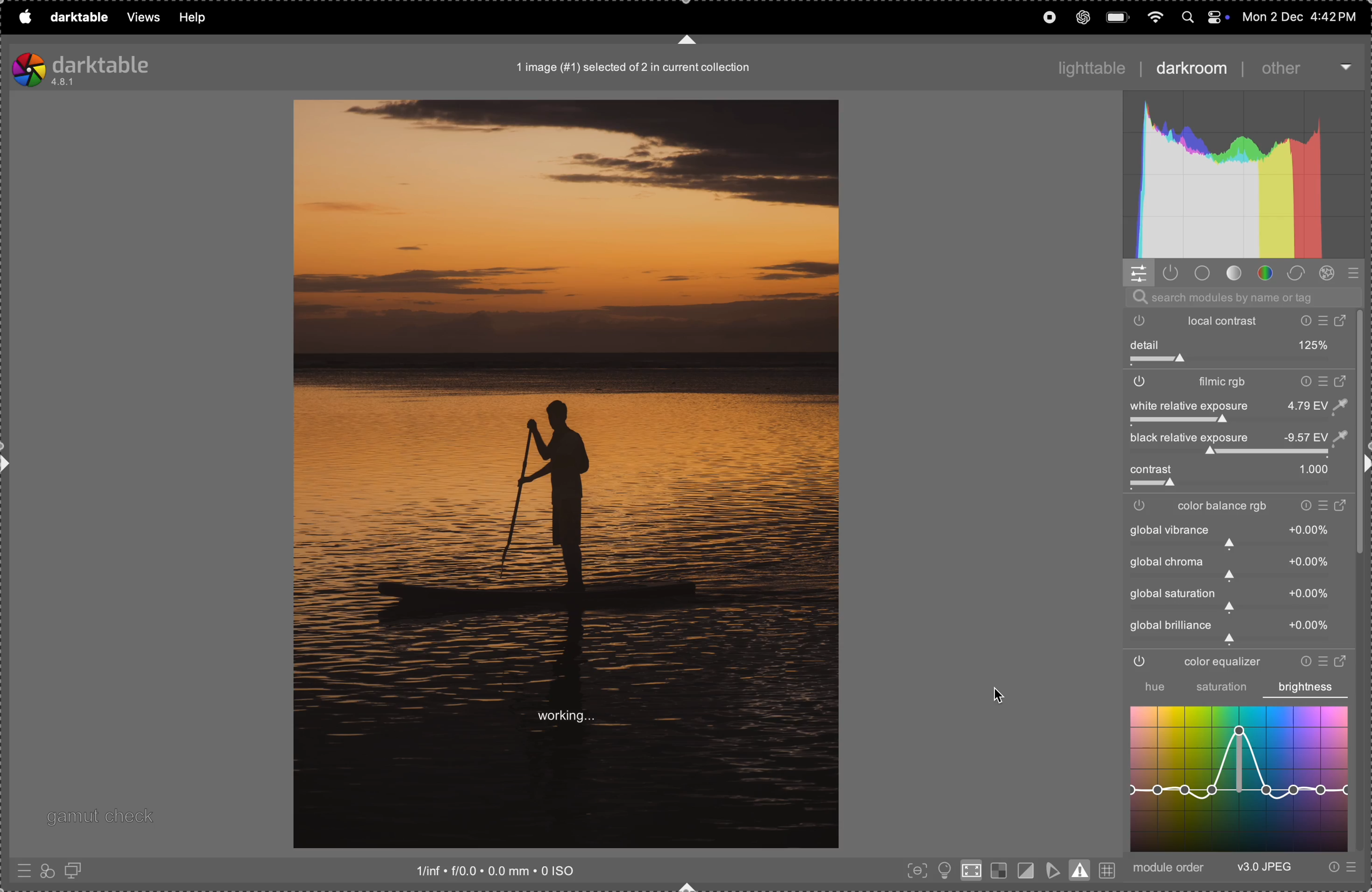 The image size is (1372, 892). What do you see at coordinates (193, 17) in the screenshot?
I see `help` at bounding box center [193, 17].